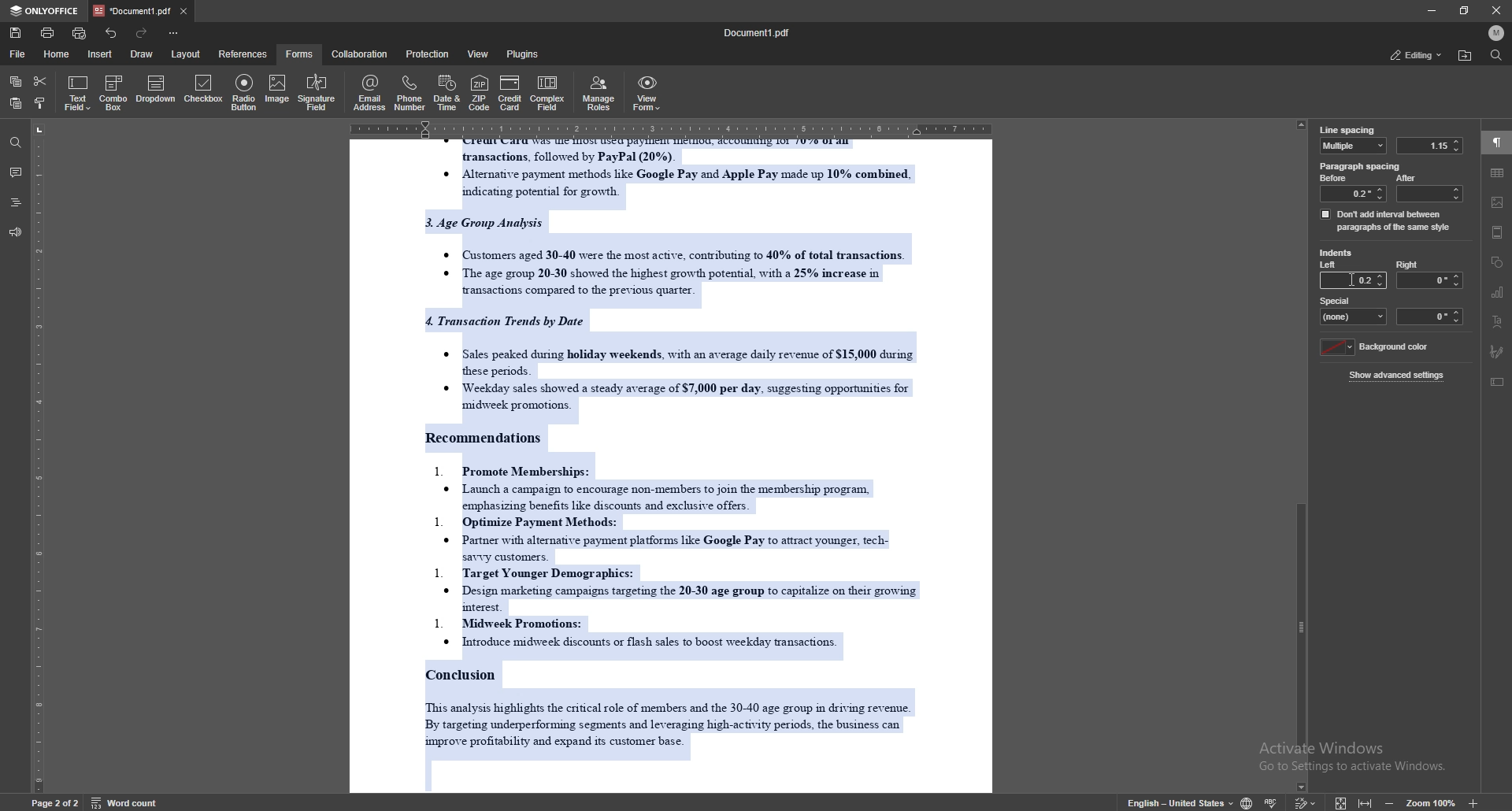 The width and height of the screenshot is (1512, 811). What do you see at coordinates (1498, 352) in the screenshot?
I see `signature field` at bounding box center [1498, 352].